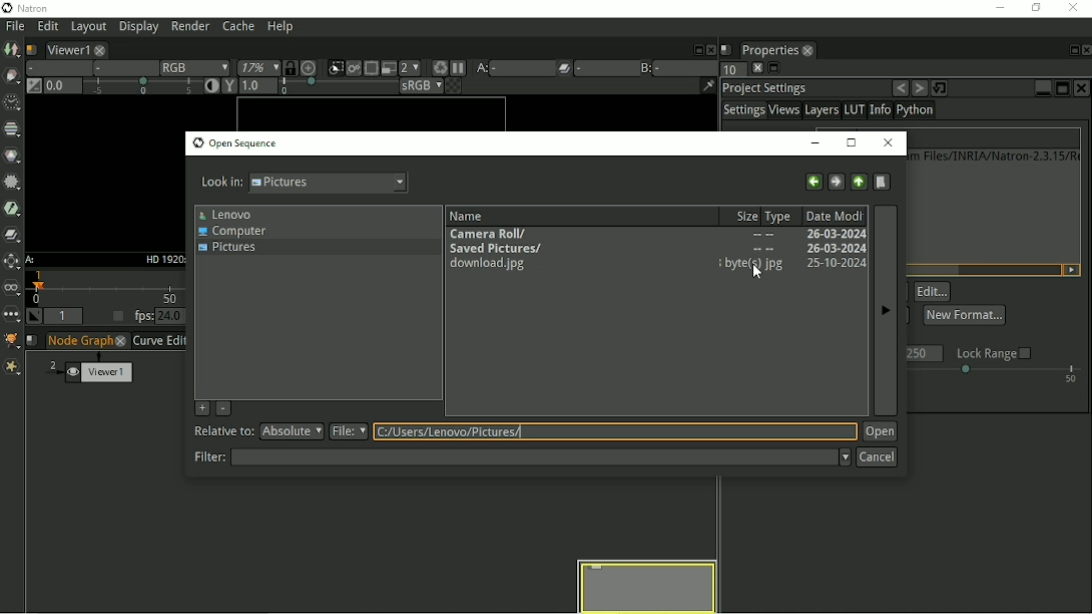 This screenshot has width=1092, height=614. Describe the element at coordinates (964, 314) in the screenshot. I see `New format` at that location.